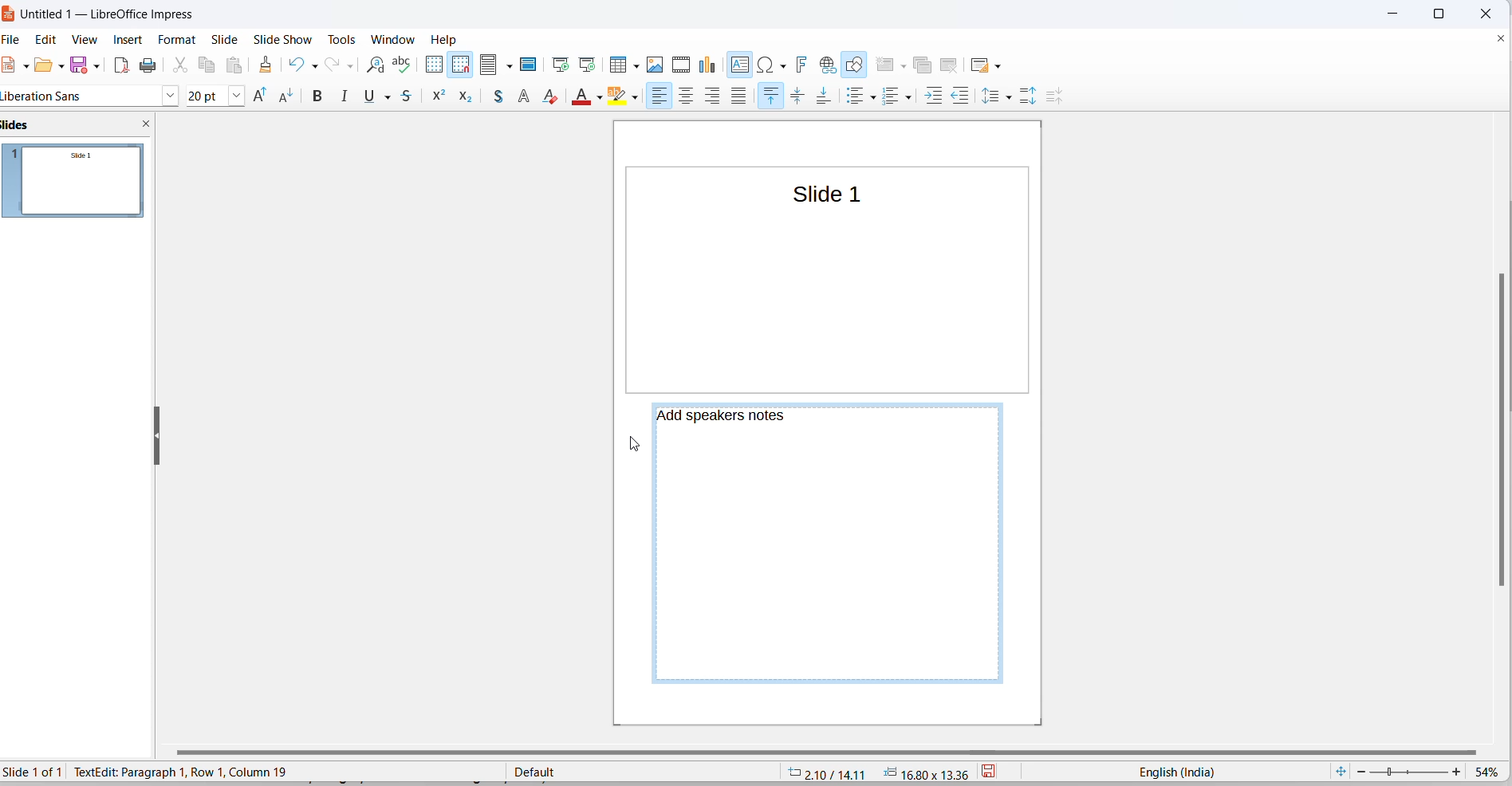 This screenshot has height=786, width=1512. What do you see at coordinates (1342, 771) in the screenshot?
I see `fit current slide to windows` at bounding box center [1342, 771].